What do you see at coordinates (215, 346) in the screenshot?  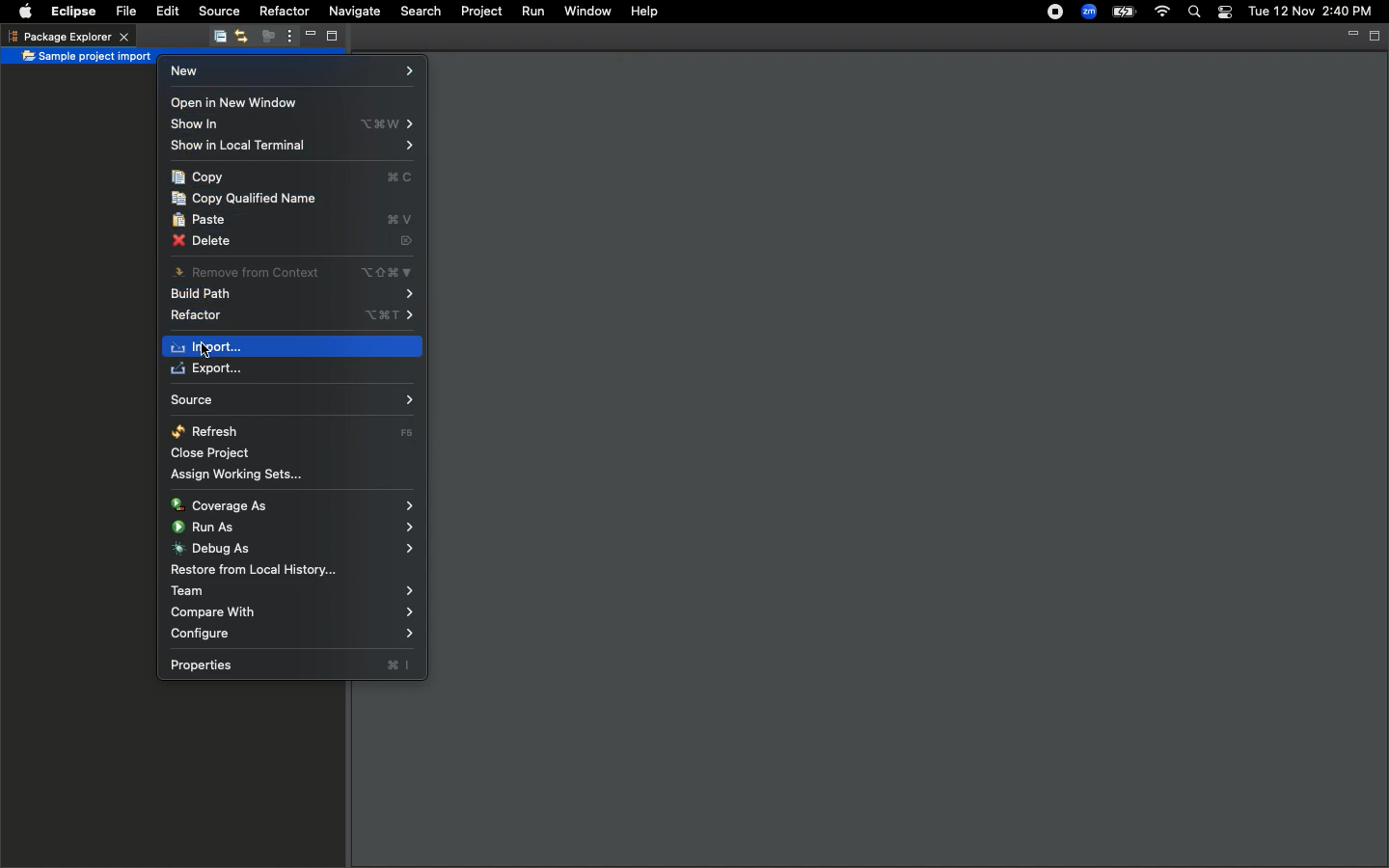 I see `Import` at bounding box center [215, 346].